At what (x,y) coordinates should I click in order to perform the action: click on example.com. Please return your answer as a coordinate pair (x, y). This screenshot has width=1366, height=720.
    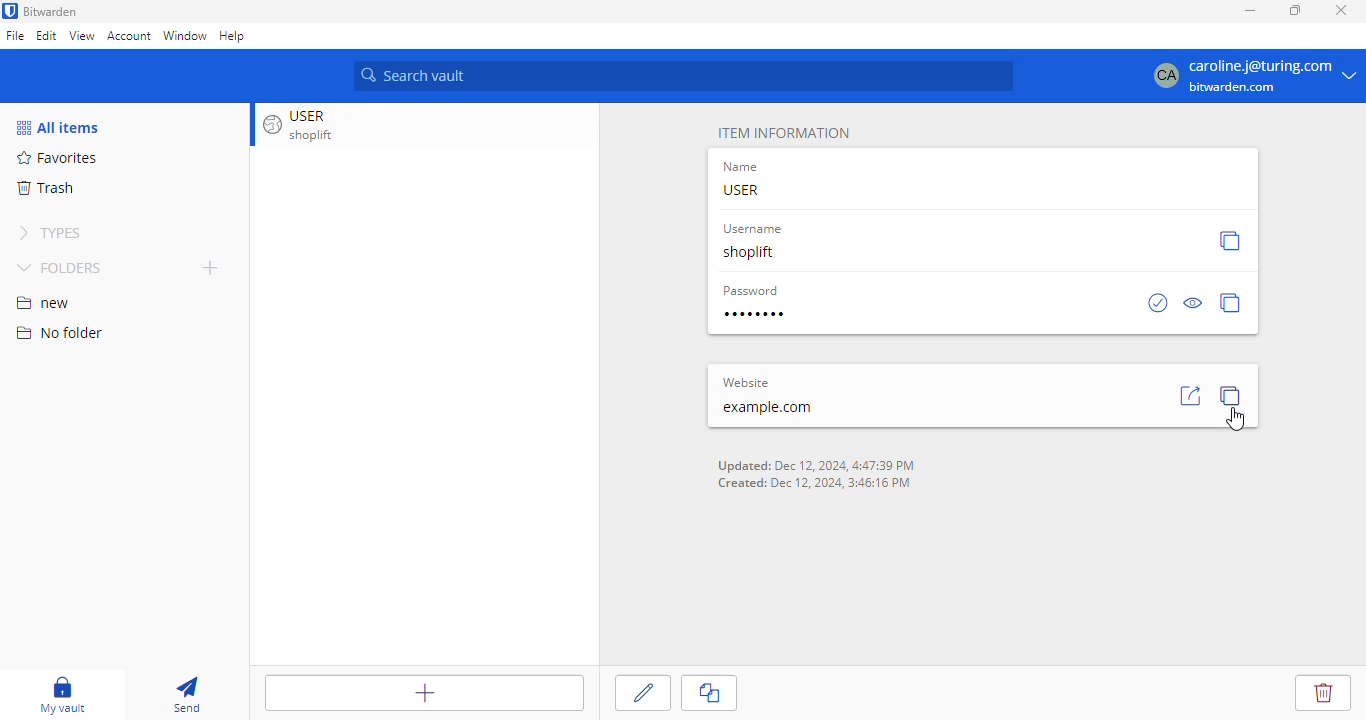
    Looking at the image, I should click on (768, 407).